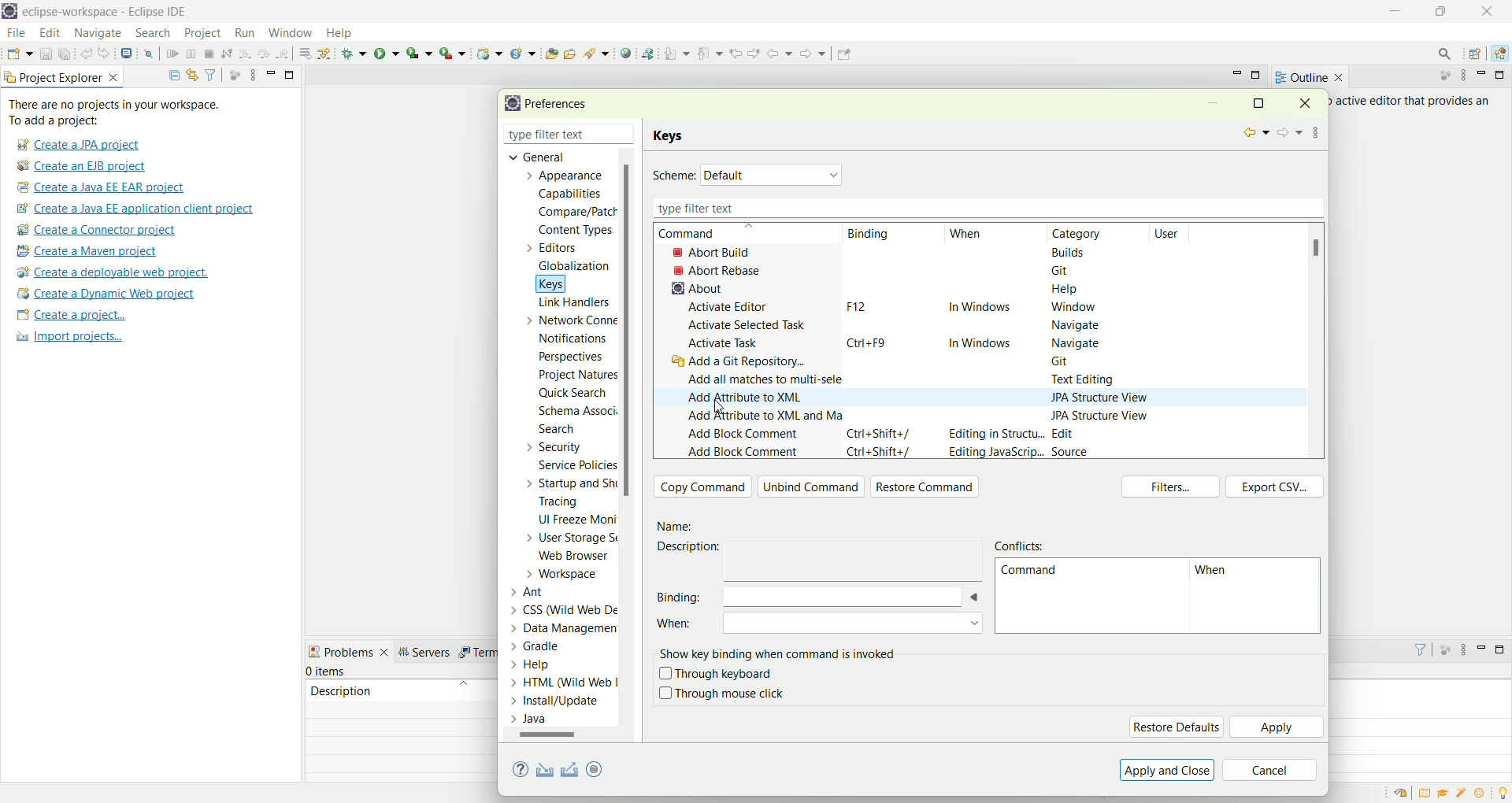 The image size is (1512, 803). I want to click on open type, so click(550, 53).